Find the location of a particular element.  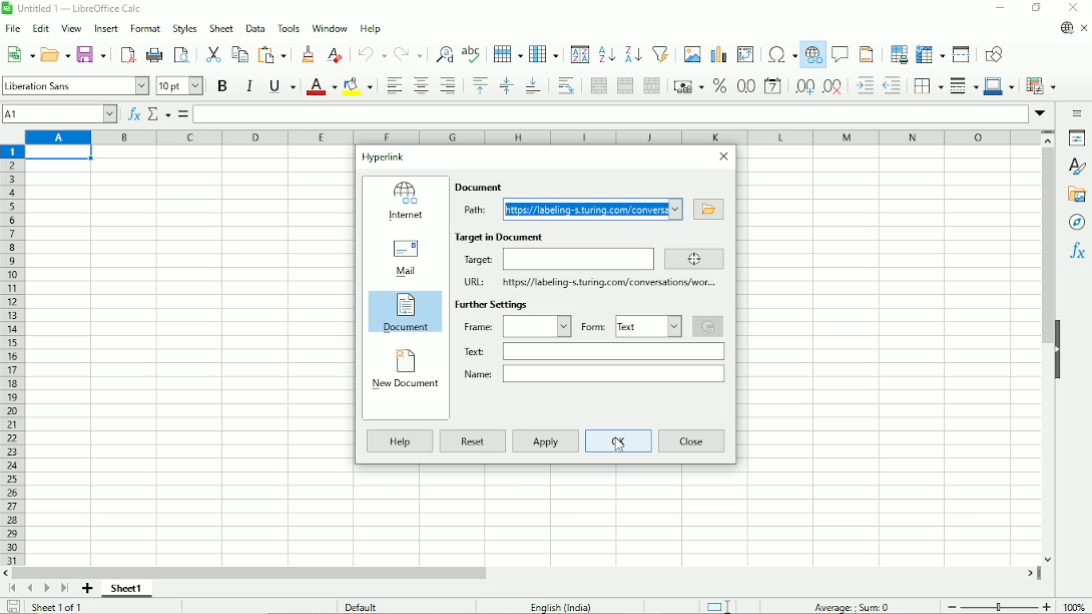

Cursor is located at coordinates (615, 453).